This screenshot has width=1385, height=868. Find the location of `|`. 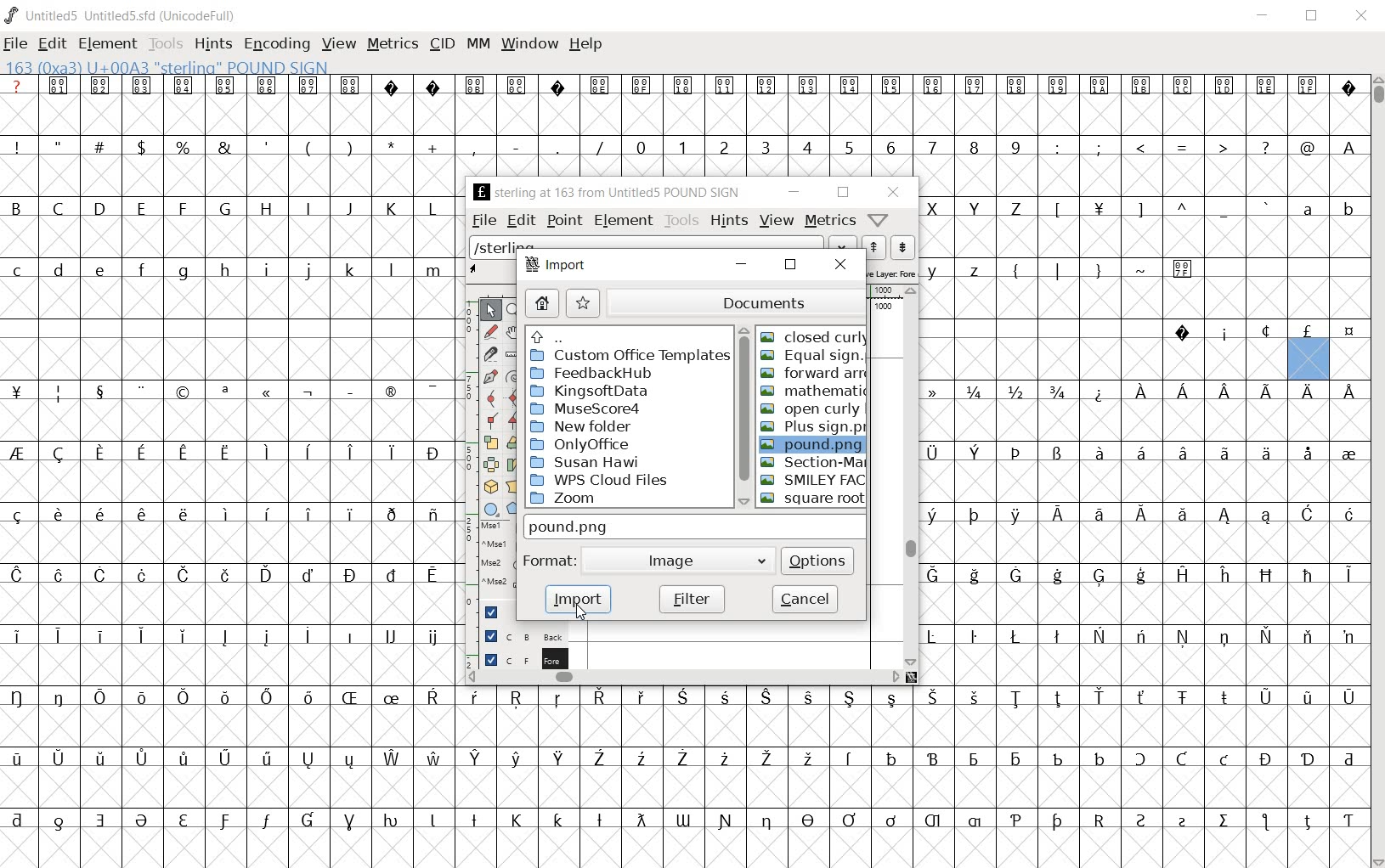

| is located at coordinates (1054, 269).